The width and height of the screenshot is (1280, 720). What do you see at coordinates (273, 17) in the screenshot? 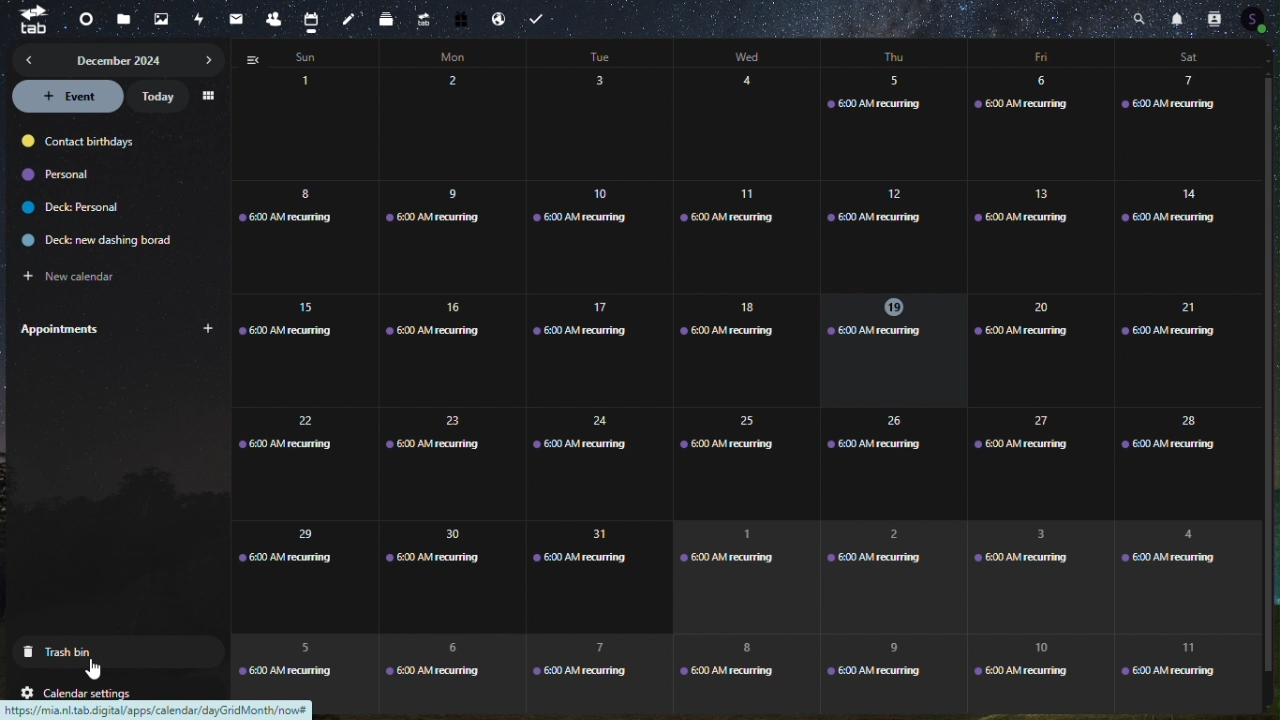
I see `contacts` at bounding box center [273, 17].